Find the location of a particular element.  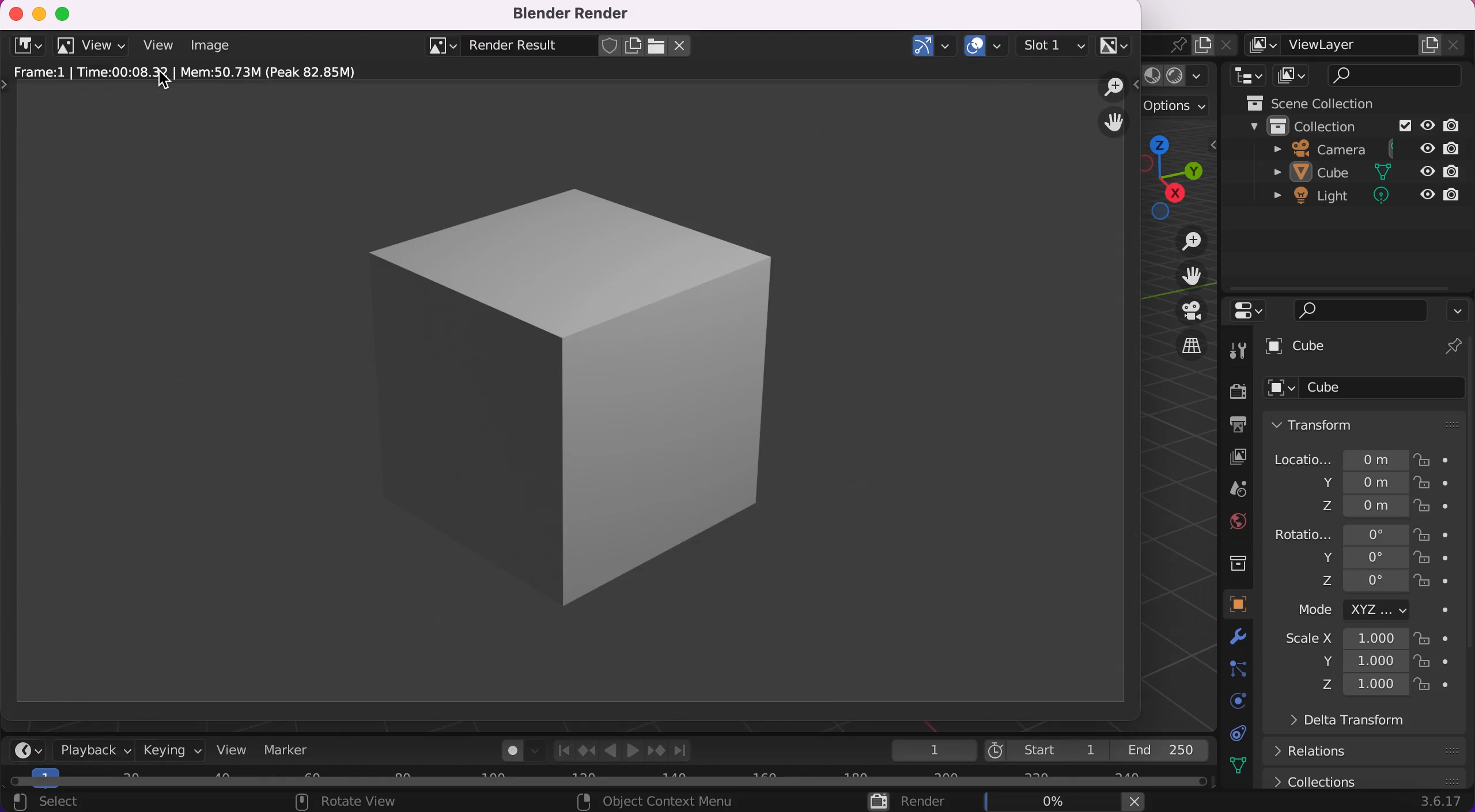

physics is located at coordinates (1230, 702).